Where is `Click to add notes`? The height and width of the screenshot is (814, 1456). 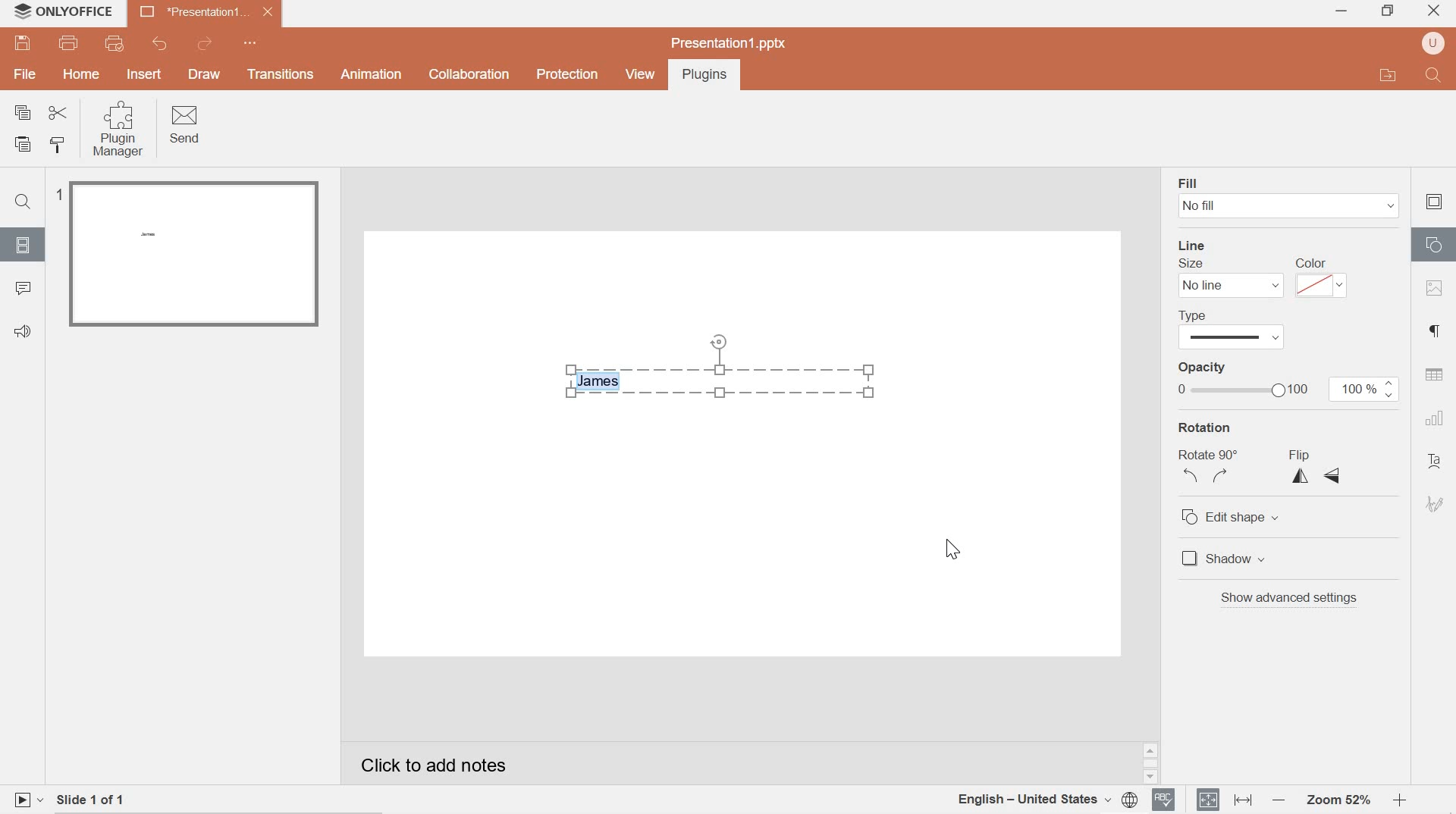 Click to add notes is located at coordinates (454, 761).